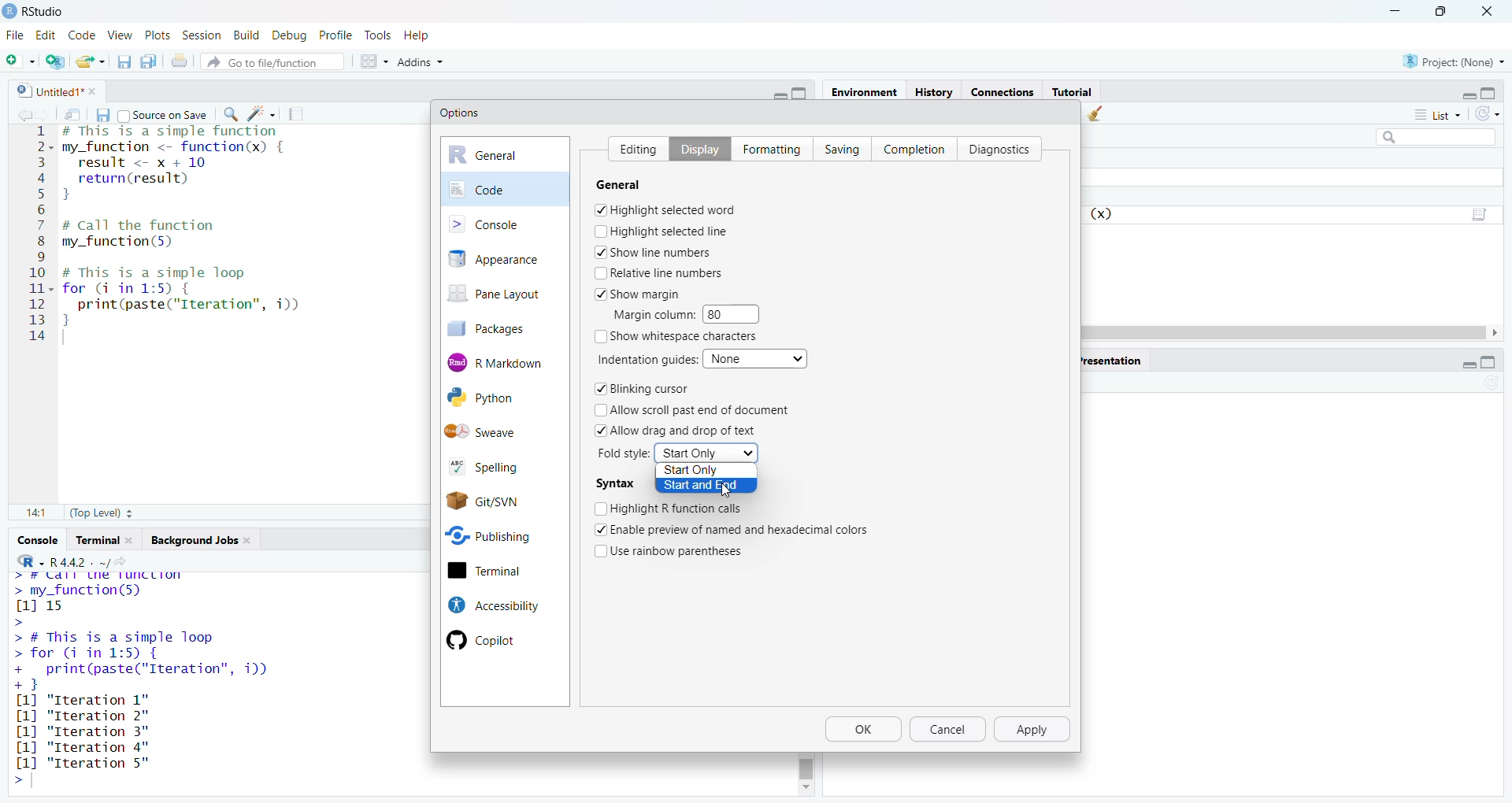  Describe the element at coordinates (1001, 90) in the screenshot. I see `connections` at that location.